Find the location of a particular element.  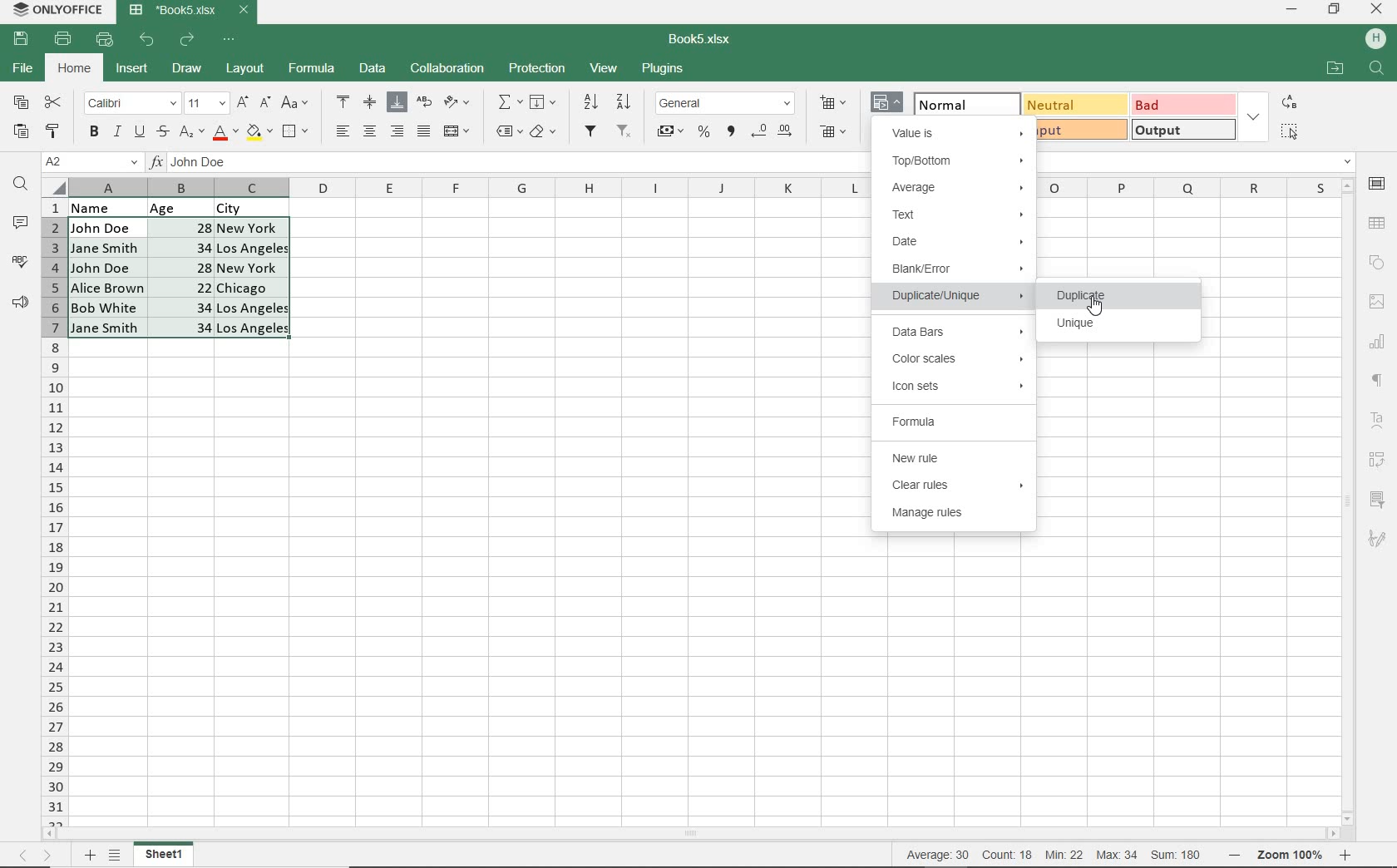

OUTPUT is located at coordinates (1182, 129).